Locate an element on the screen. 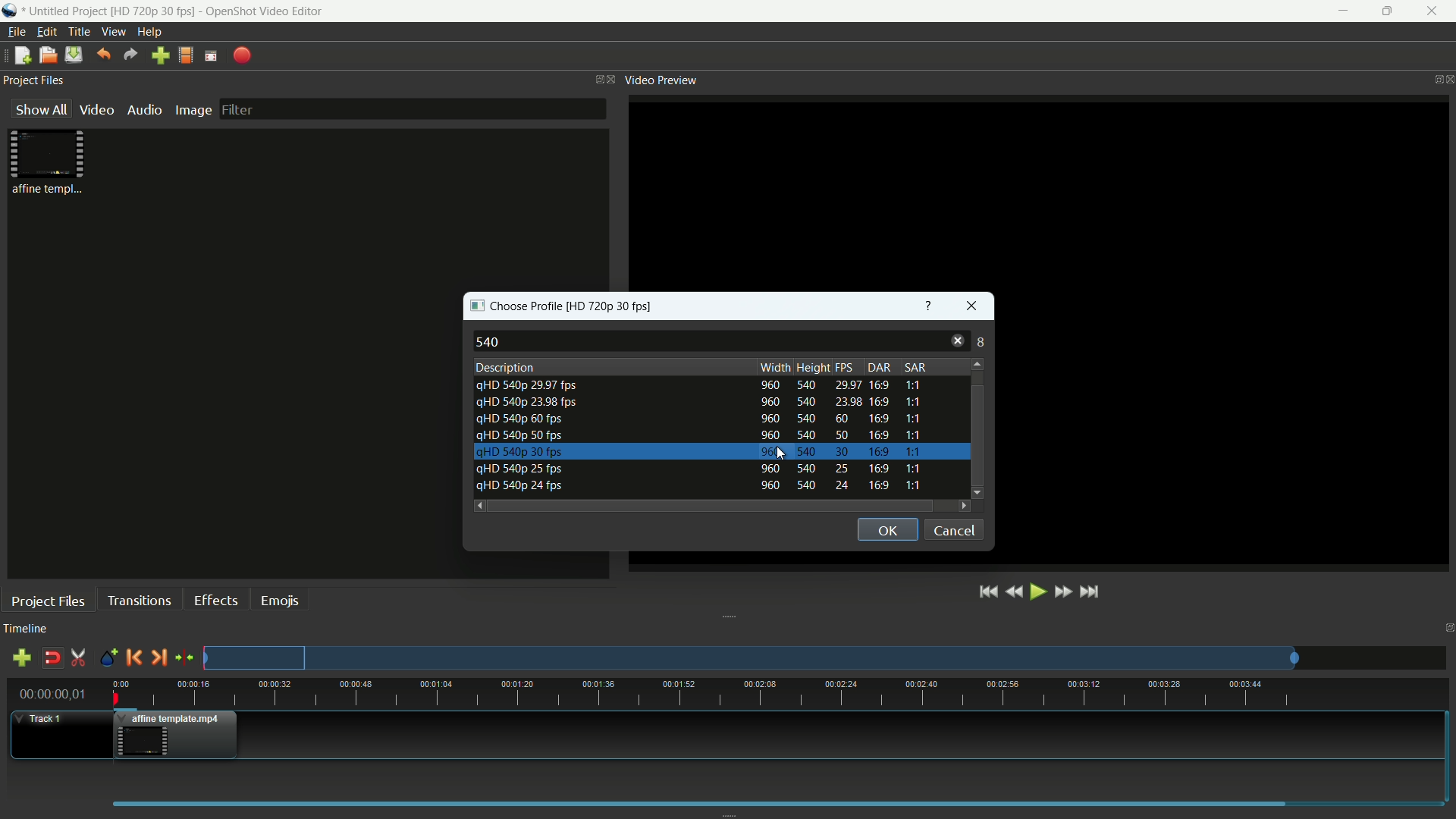 This screenshot has width=1456, height=819. timeline is located at coordinates (27, 629).